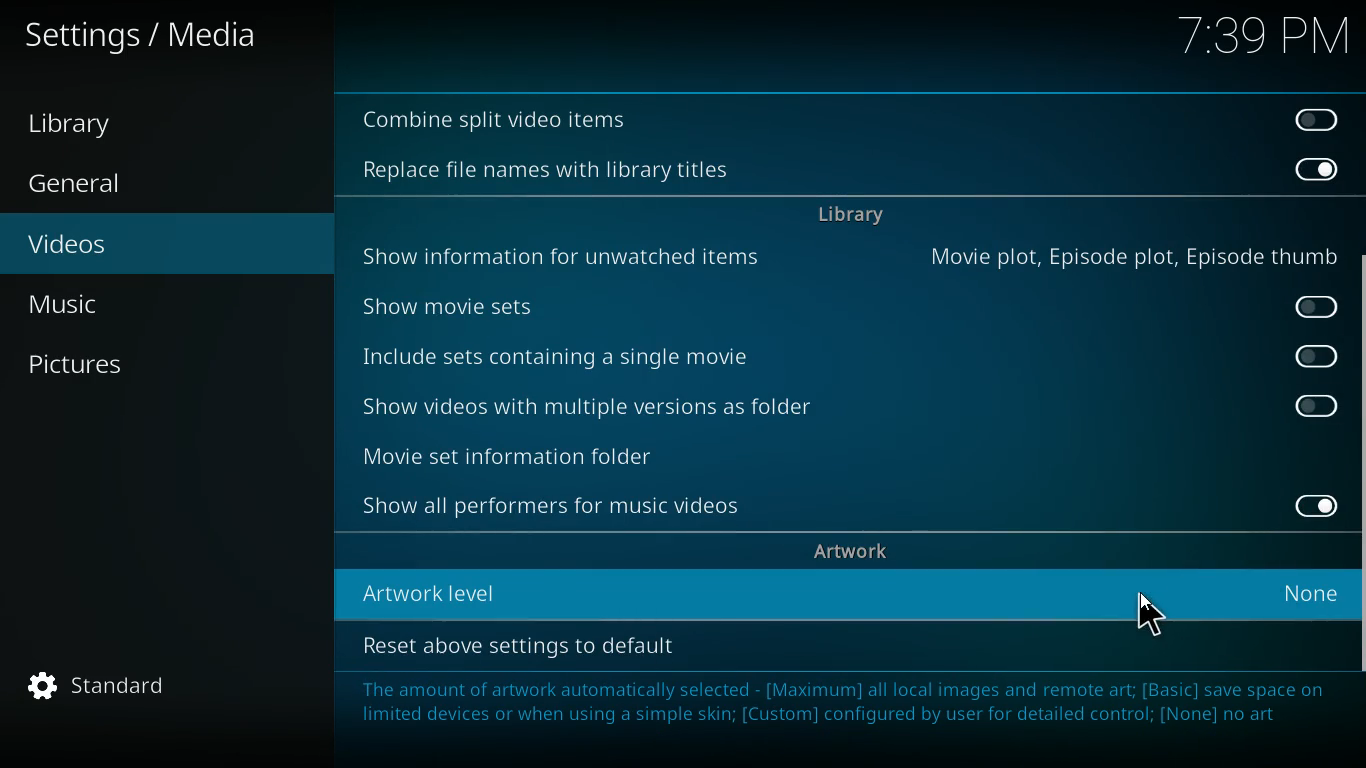 The image size is (1366, 768). What do you see at coordinates (596, 359) in the screenshot?
I see `include sets` at bounding box center [596, 359].